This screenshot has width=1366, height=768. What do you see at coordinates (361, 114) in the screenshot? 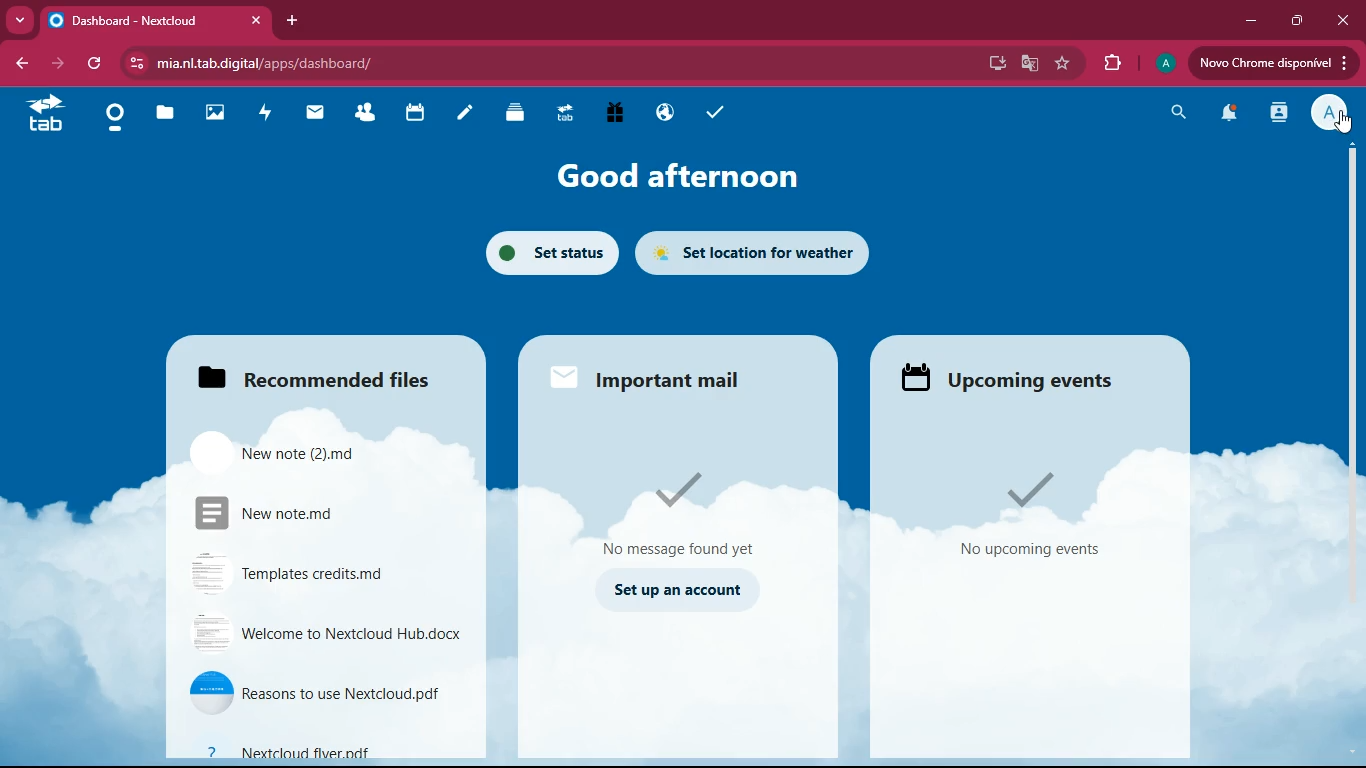
I see `friends` at bounding box center [361, 114].